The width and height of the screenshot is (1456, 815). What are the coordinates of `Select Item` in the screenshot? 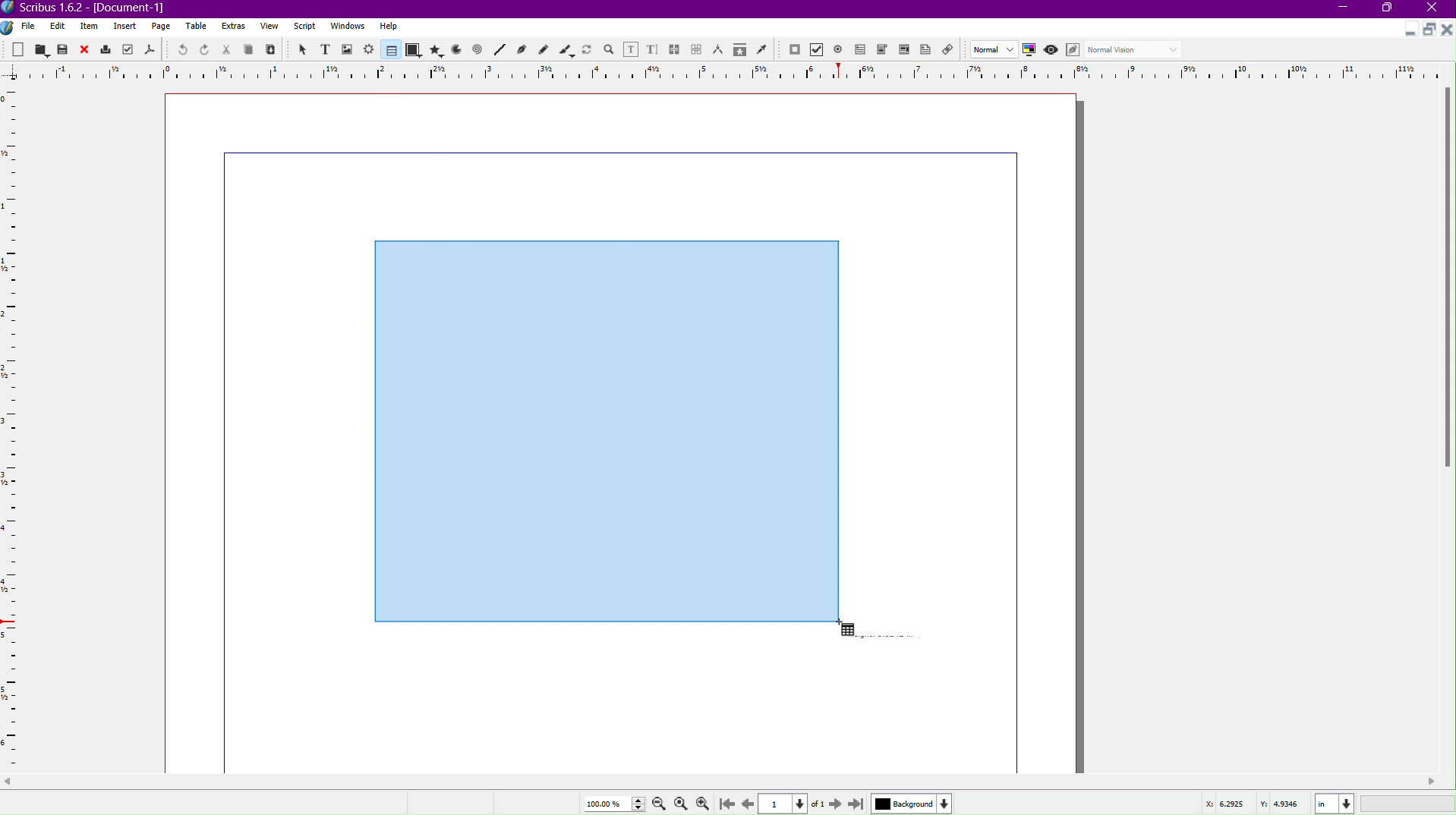 It's located at (301, 49).